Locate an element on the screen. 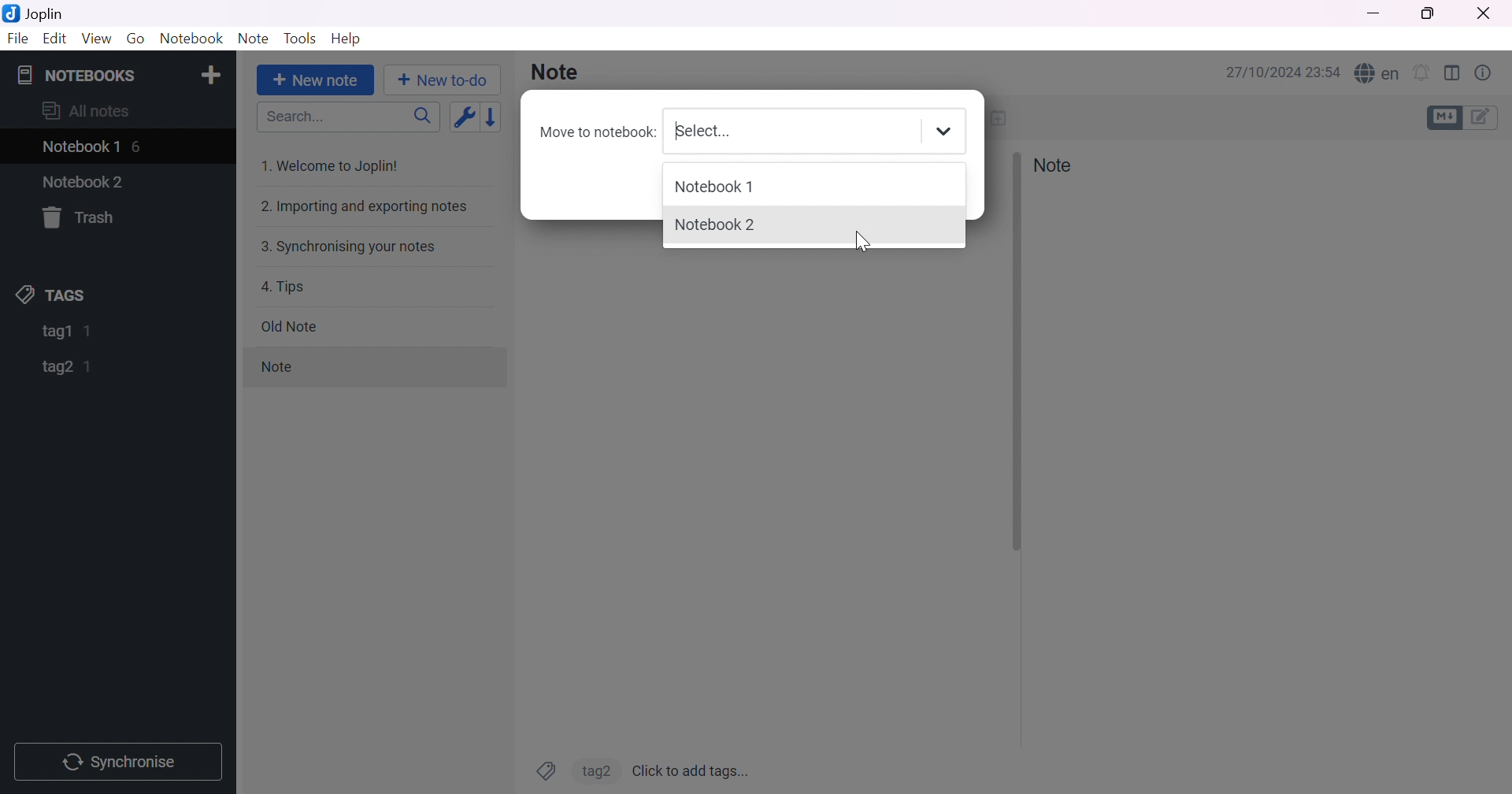 The image size is (1512, 794). Close is located at coordinates (1481, 12).